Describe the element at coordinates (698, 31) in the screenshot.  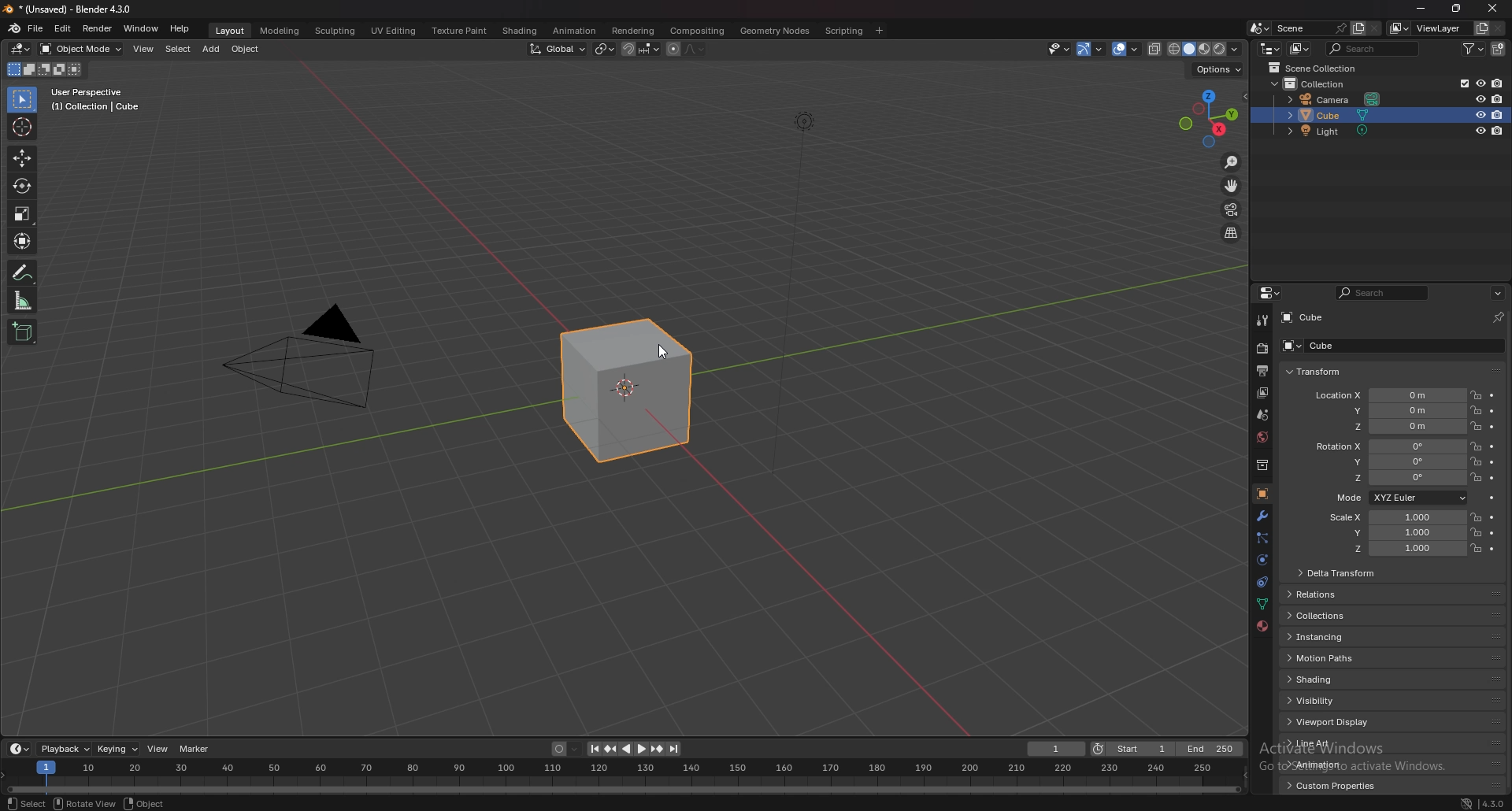
I see `compositing` at that location.